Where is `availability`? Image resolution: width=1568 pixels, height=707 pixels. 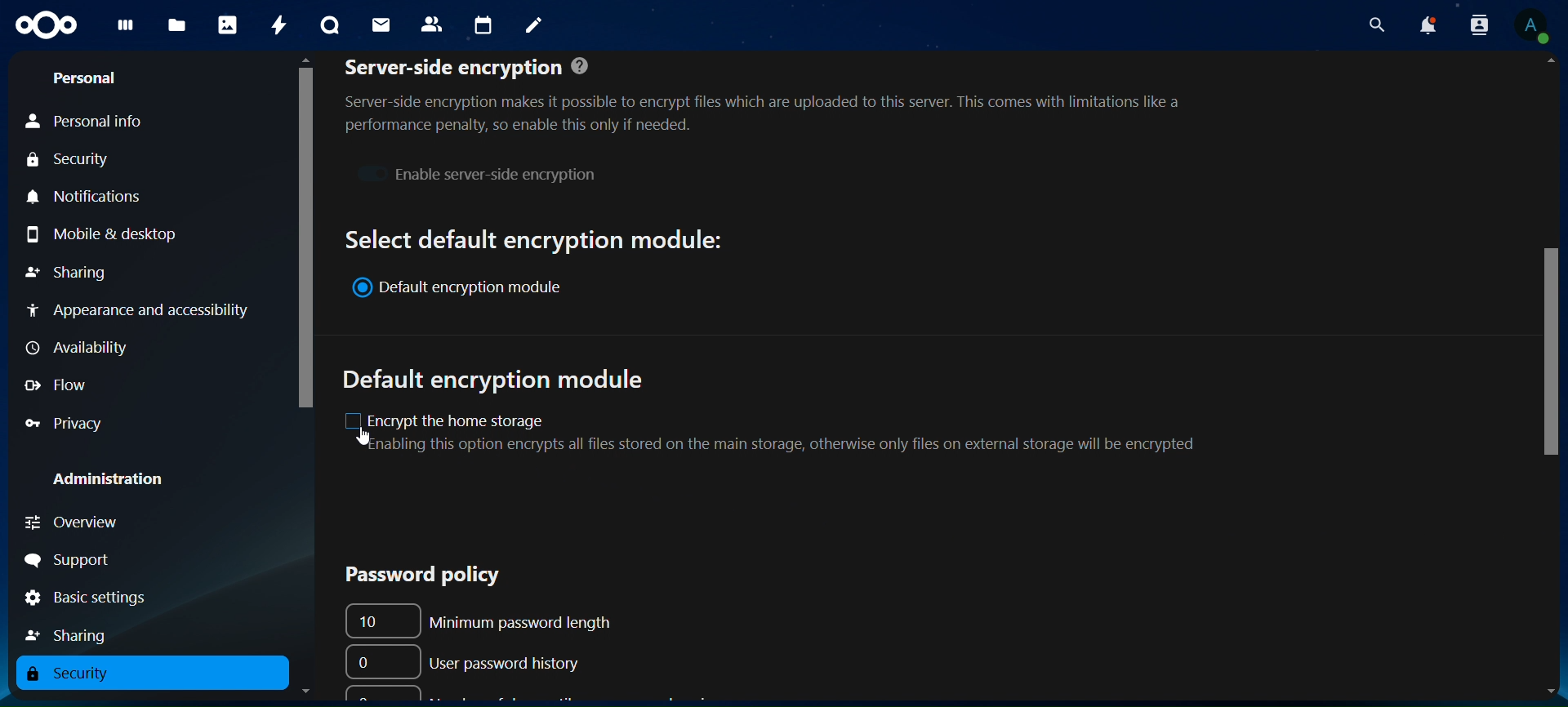 availability is located at coordinates (74, 346).